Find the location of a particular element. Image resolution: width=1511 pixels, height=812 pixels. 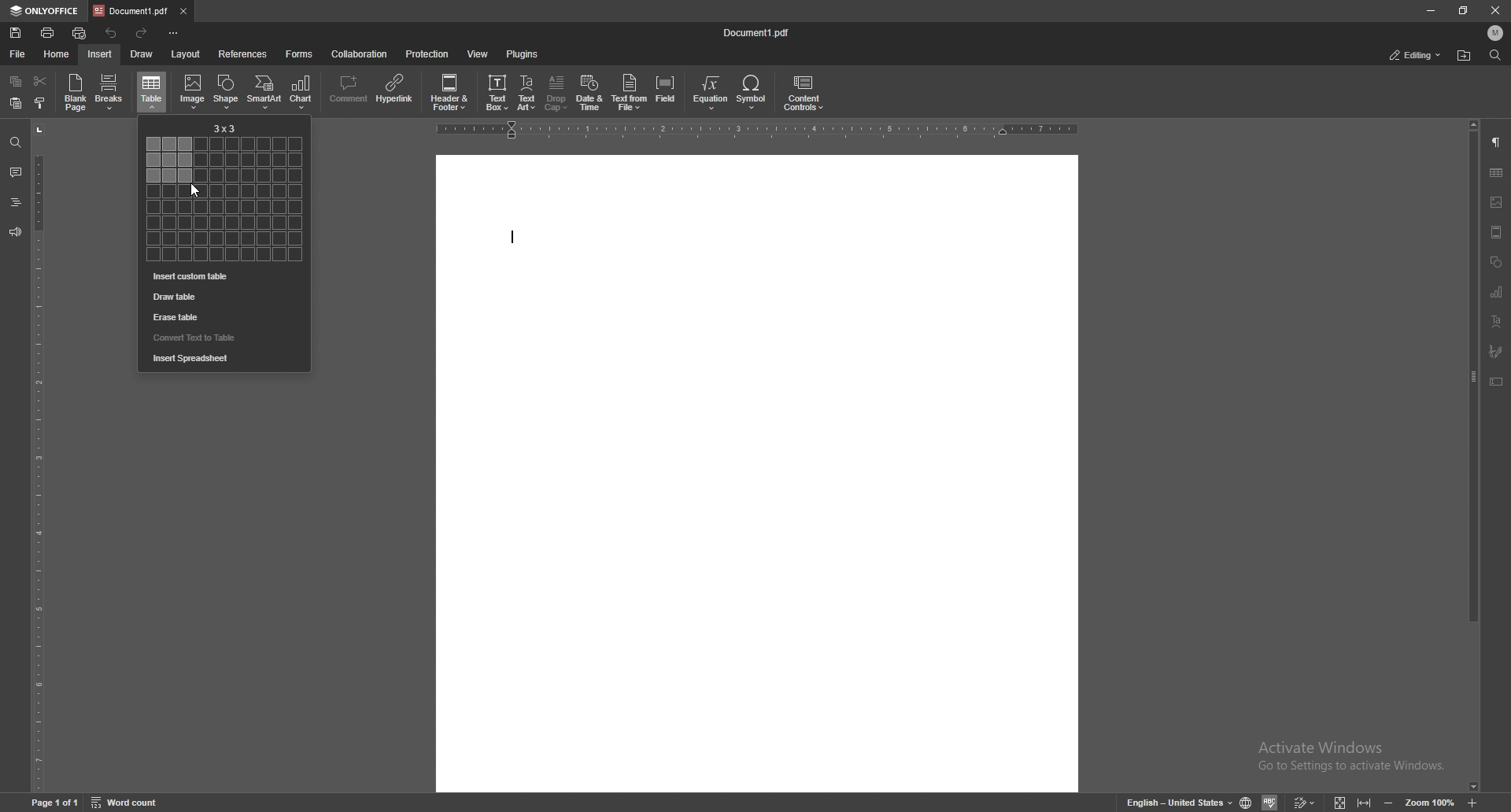

close is located at coordinates (1495, 10).